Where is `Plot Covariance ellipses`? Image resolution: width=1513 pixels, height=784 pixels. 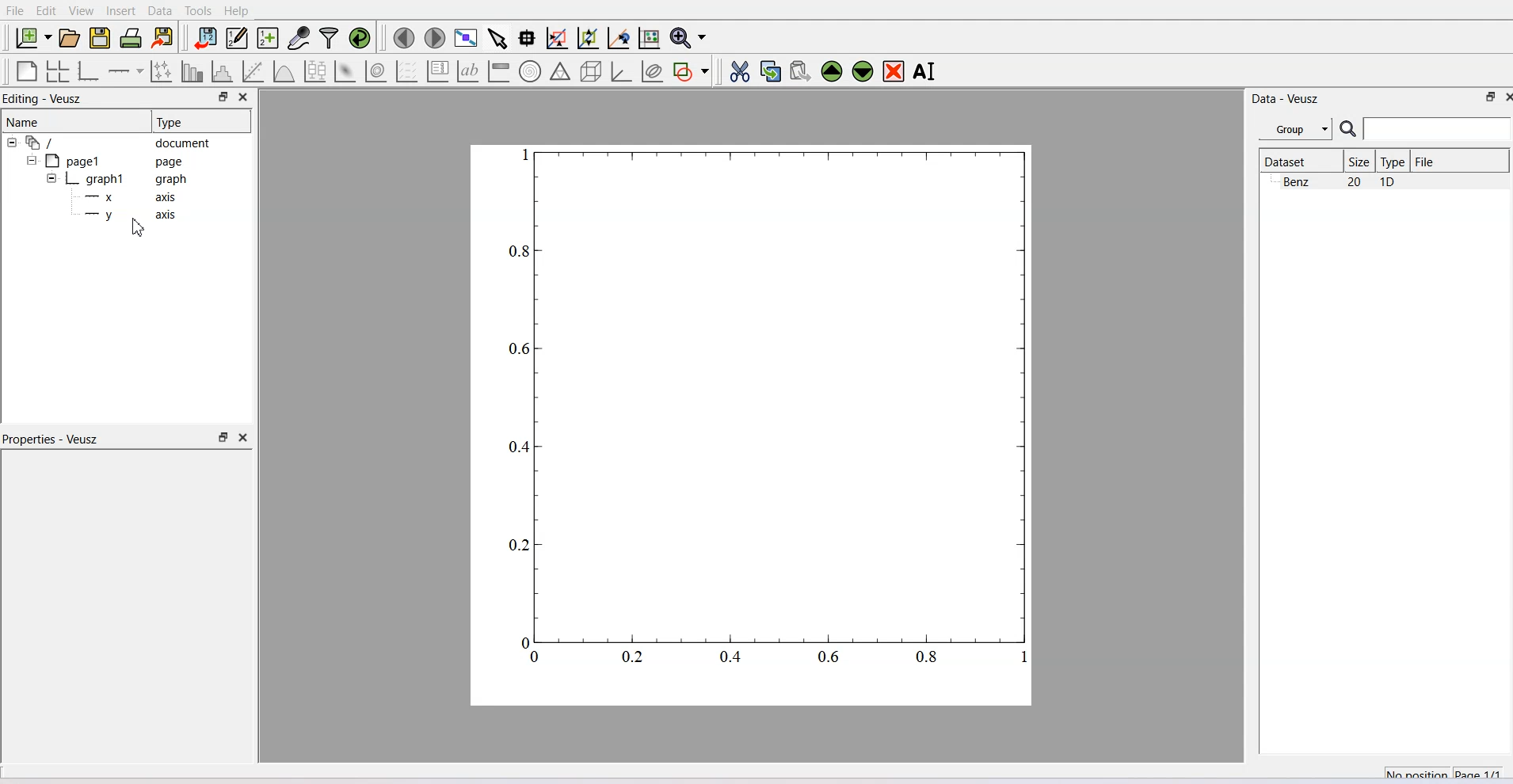
Plot Covariance ellipses is located at coordinates (654, 71).